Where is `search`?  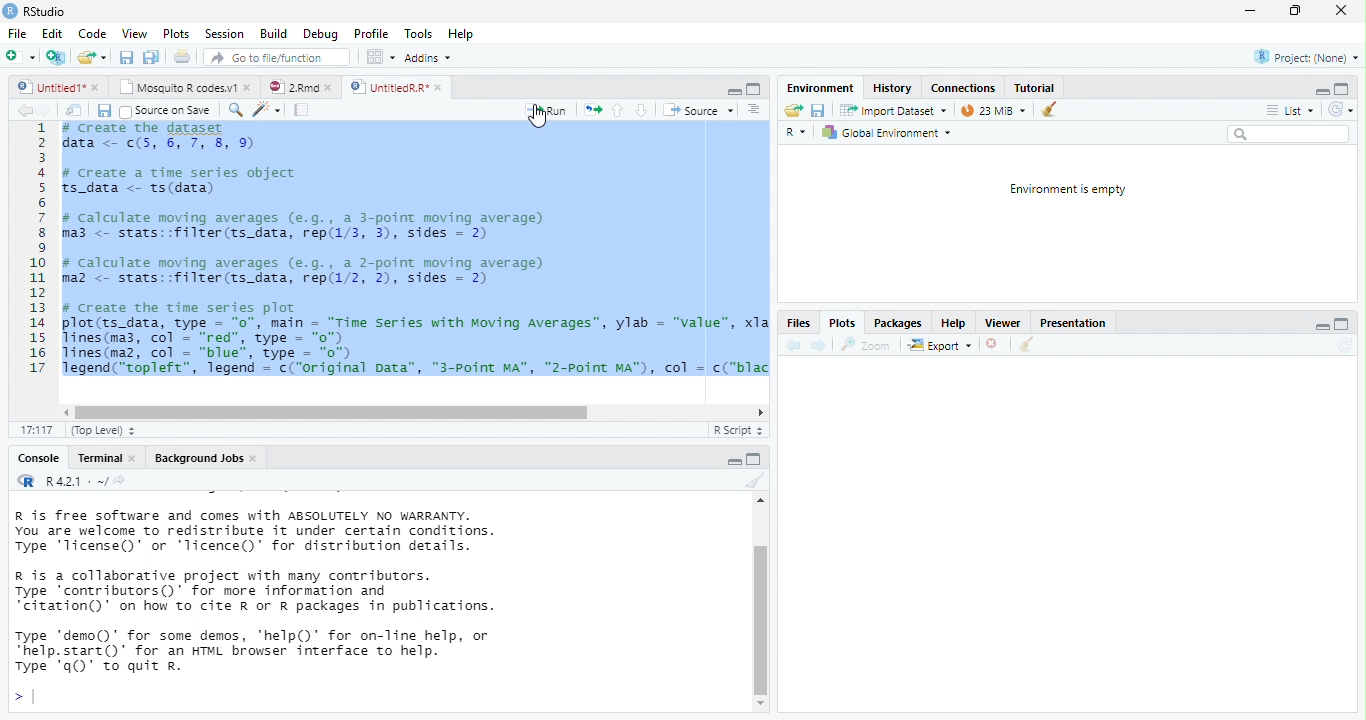
search is located at coordinates (1288, 134).